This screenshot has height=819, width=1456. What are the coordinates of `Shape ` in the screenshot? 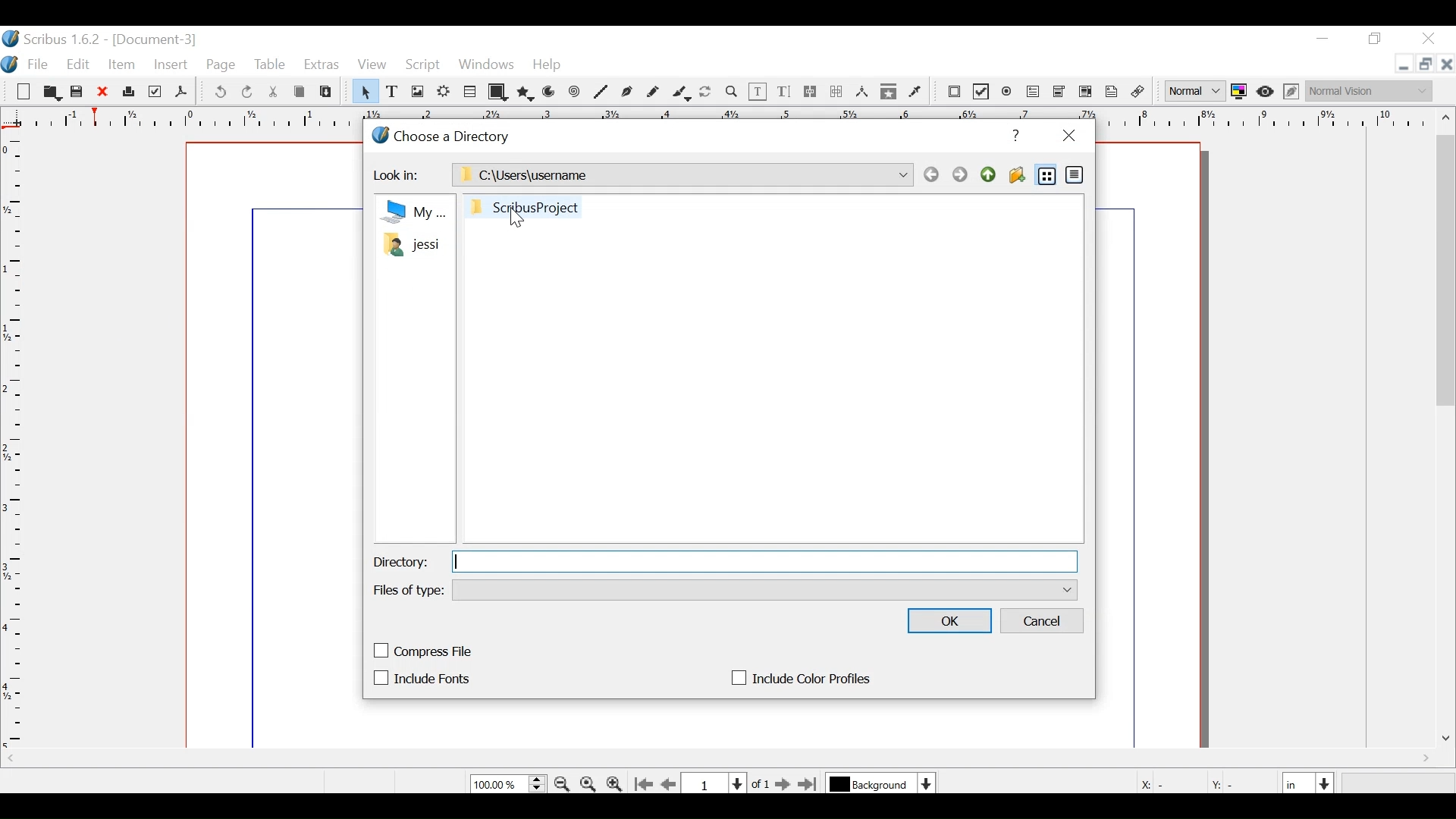 It's located at (497, 92).